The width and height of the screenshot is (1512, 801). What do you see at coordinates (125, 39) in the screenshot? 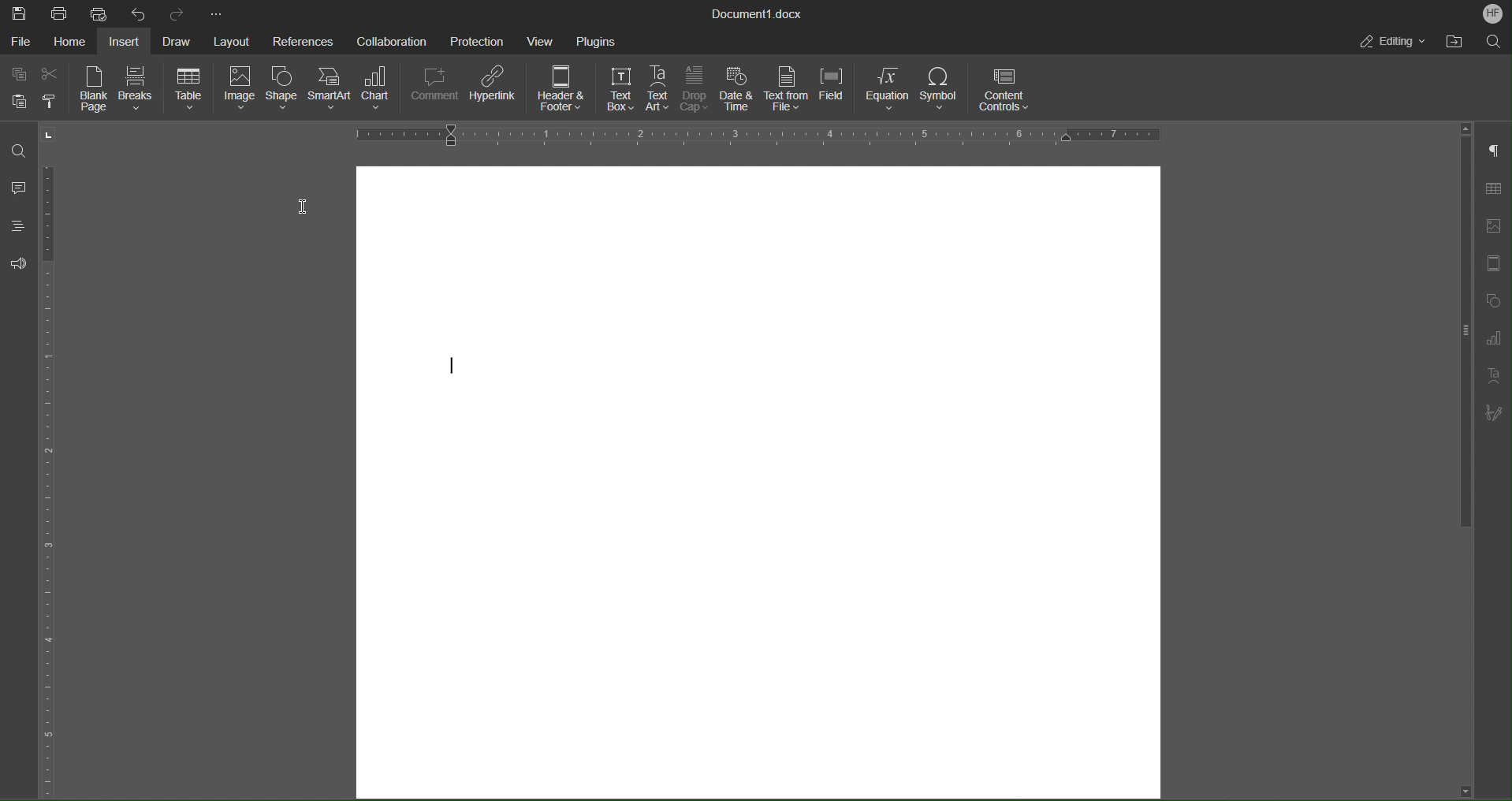
I see `Insert` at bounding box center [125, 39].